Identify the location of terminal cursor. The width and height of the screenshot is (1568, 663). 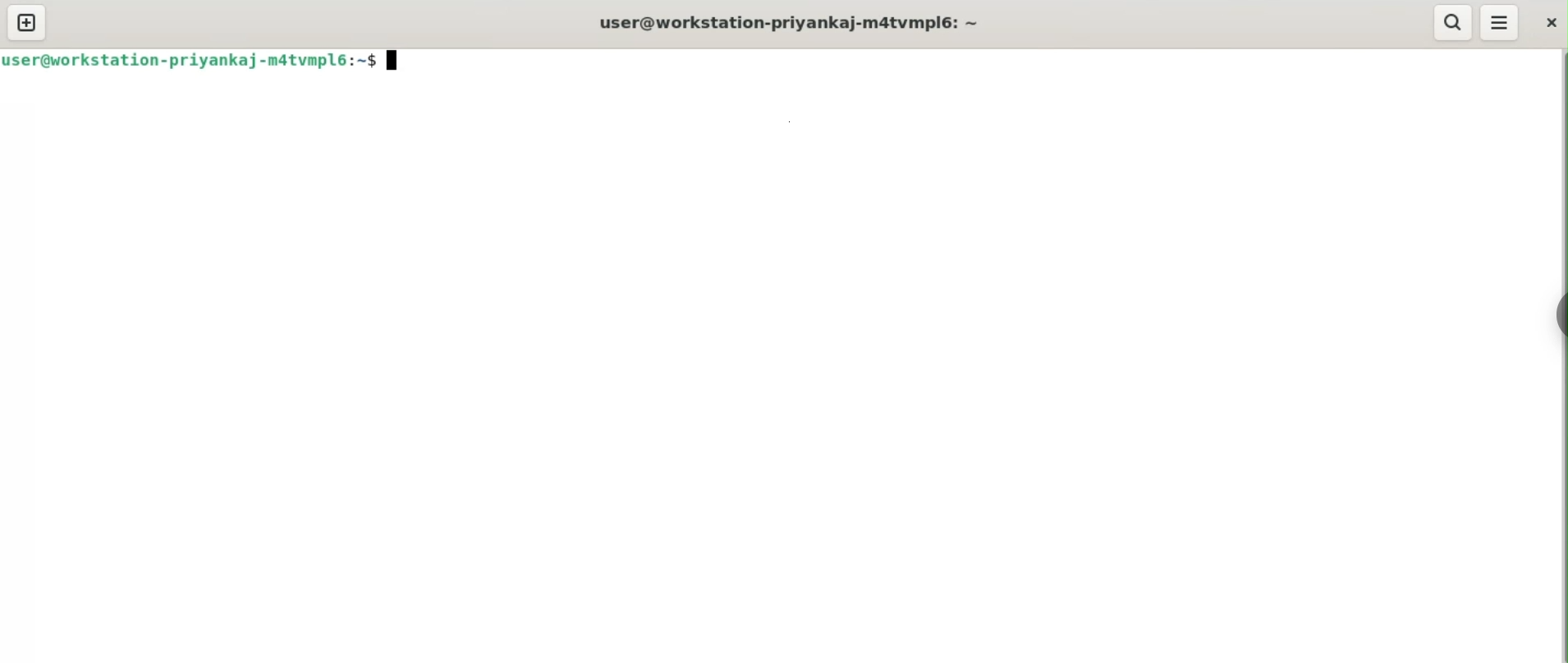
(394, 61).